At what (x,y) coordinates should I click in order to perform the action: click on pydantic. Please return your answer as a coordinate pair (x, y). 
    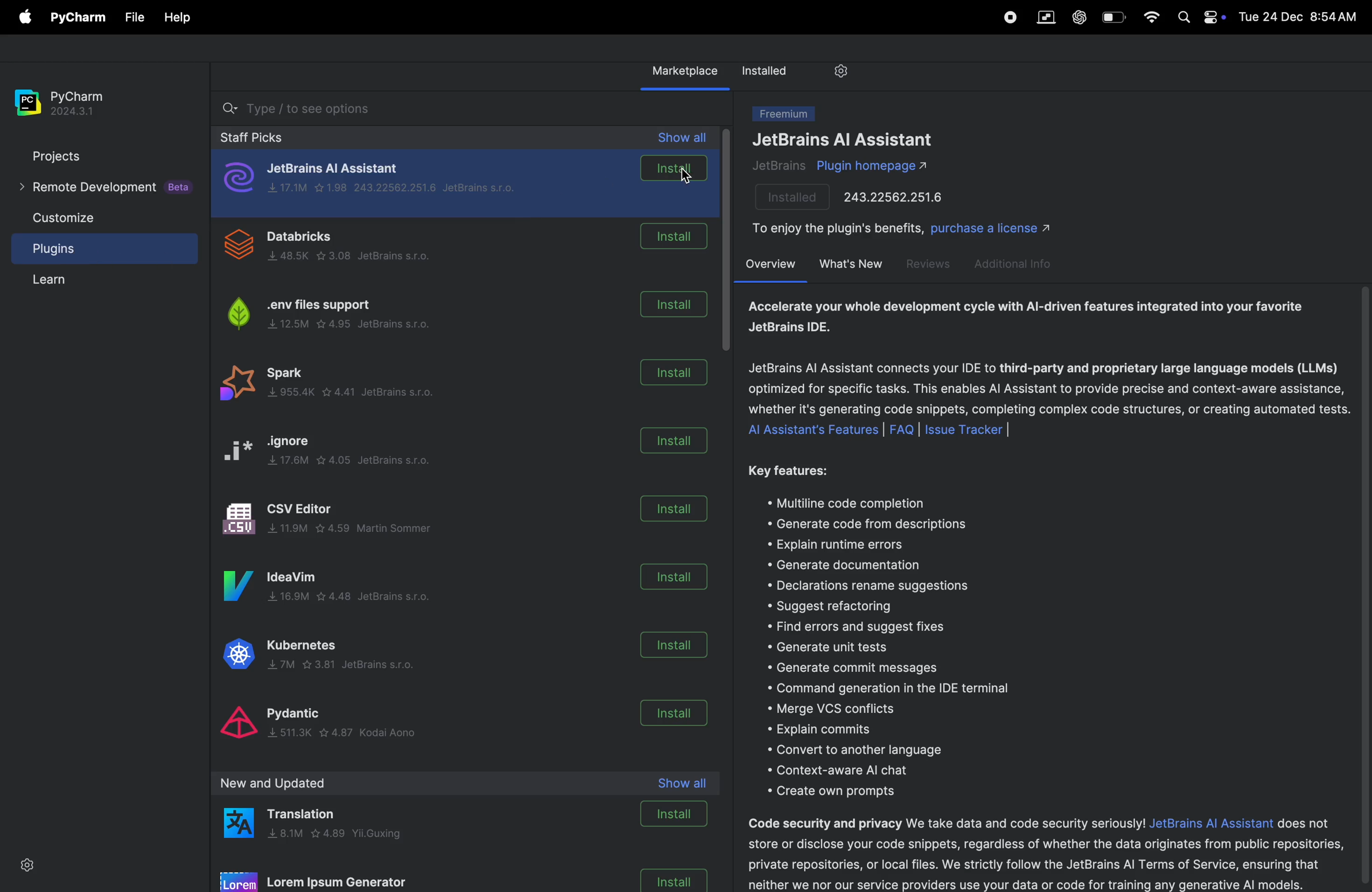
    Looking at the image, I should click on (330, 727).